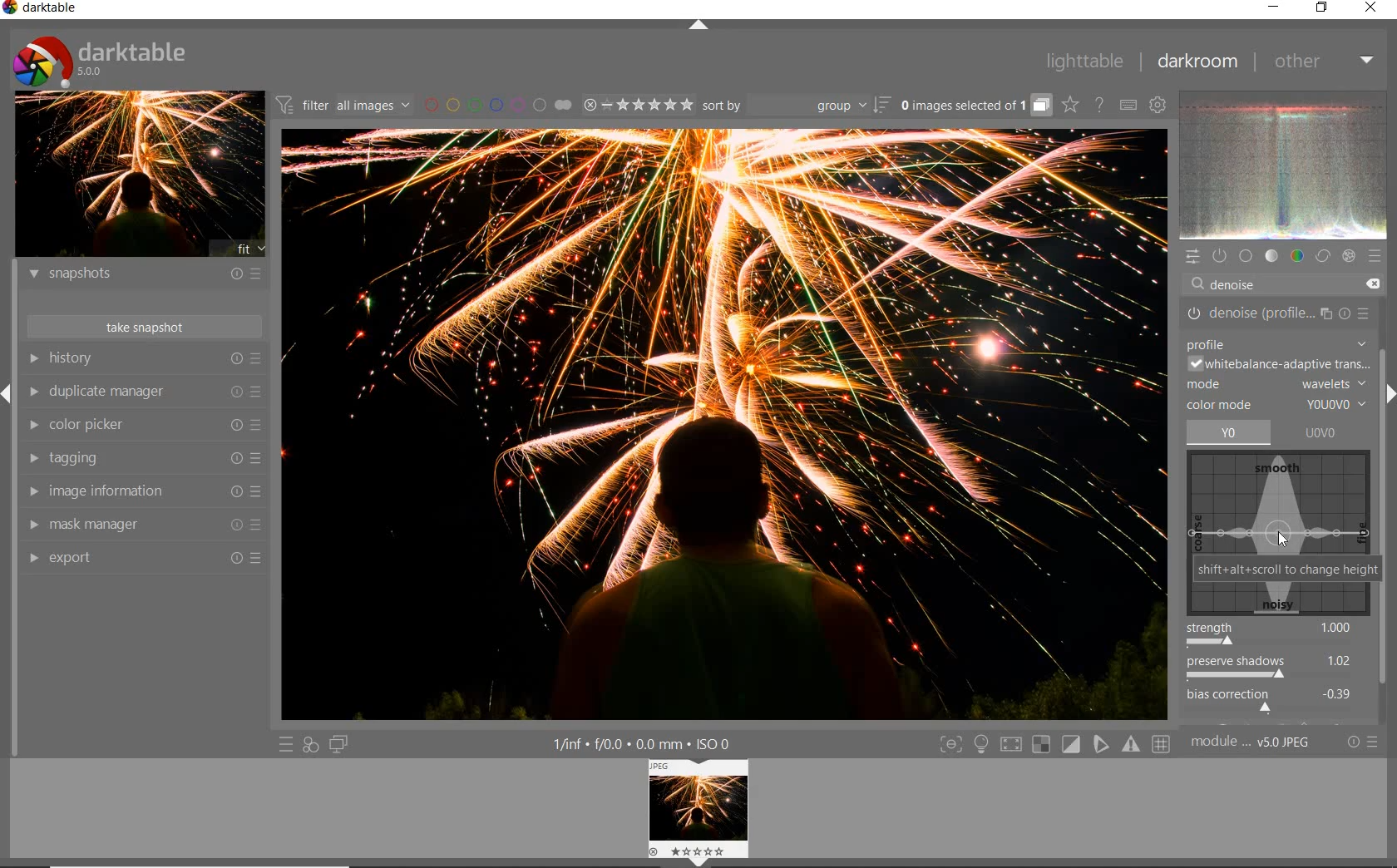 The image size is (1397, 868). Describe the element at coordinates (143, 274) in the screenshot. I see `snapshots` at that location.